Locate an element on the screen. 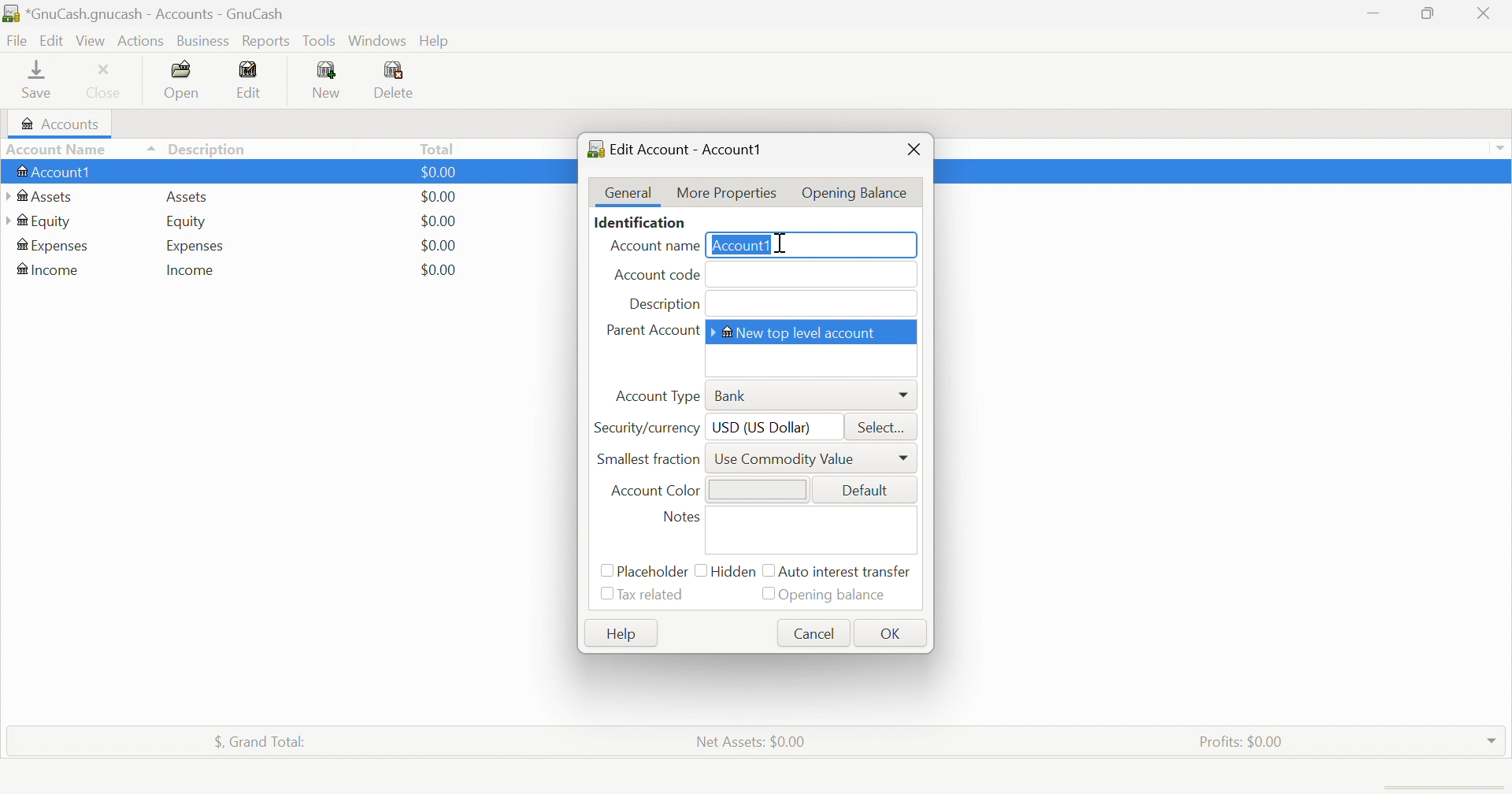 This screenshot has height=794, width=1512. Edit is located at coordinates (50, 40).